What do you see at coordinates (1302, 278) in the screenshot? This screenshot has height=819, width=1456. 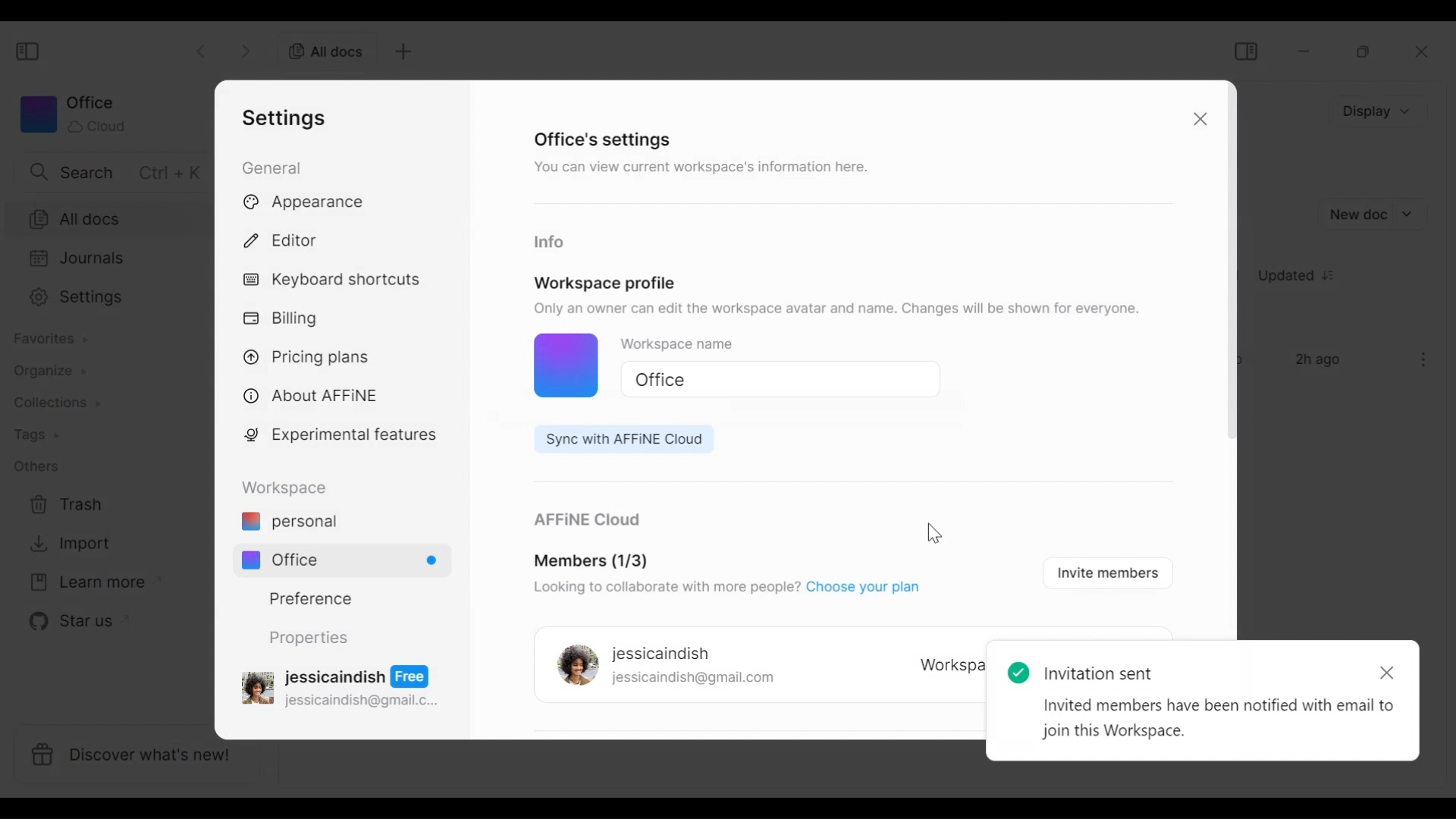 I see `Updated` at bounding box center [1302, 278].